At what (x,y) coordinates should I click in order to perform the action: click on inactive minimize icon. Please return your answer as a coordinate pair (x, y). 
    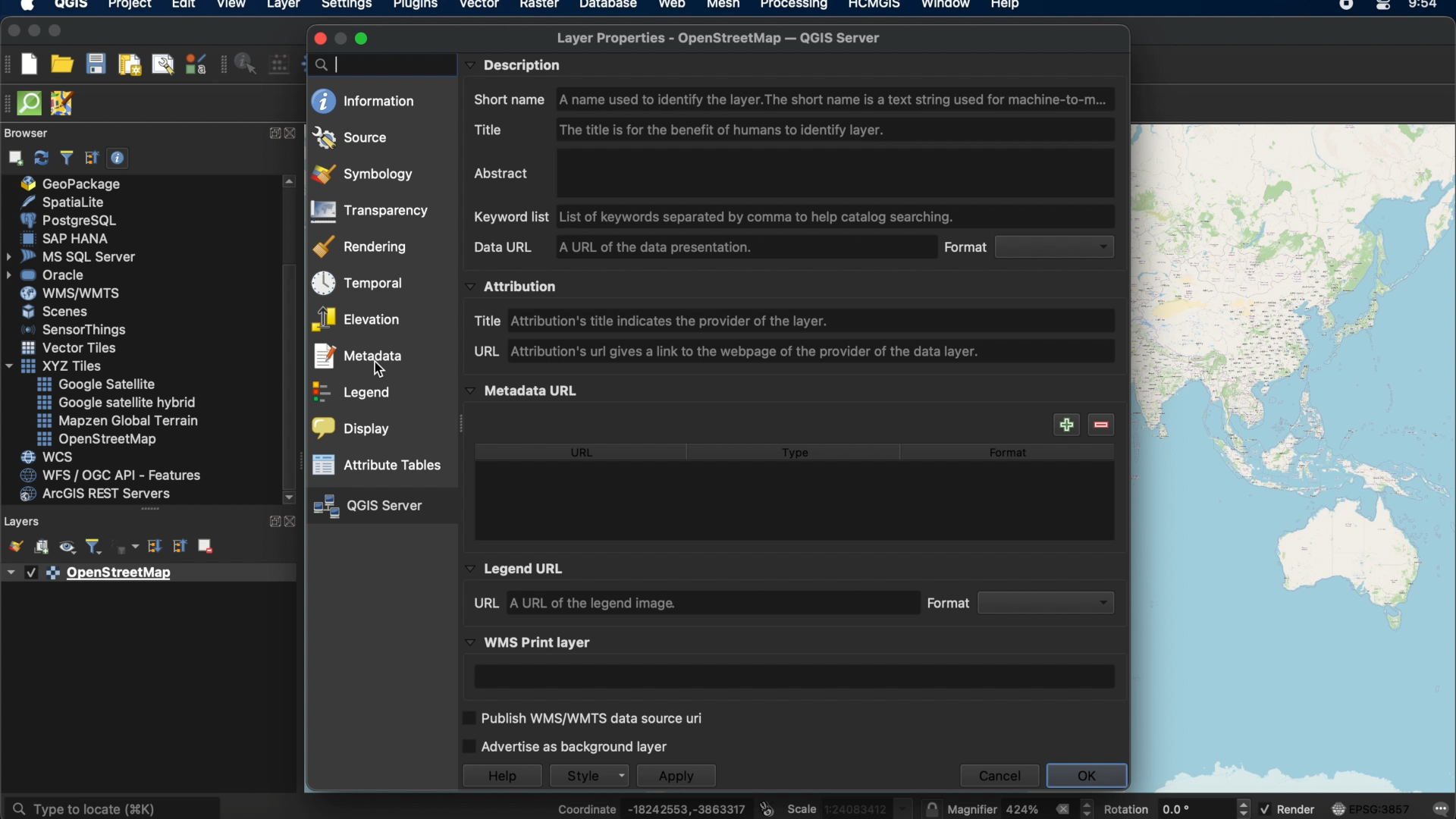
    Looking at the image, I should click on (342, 41).